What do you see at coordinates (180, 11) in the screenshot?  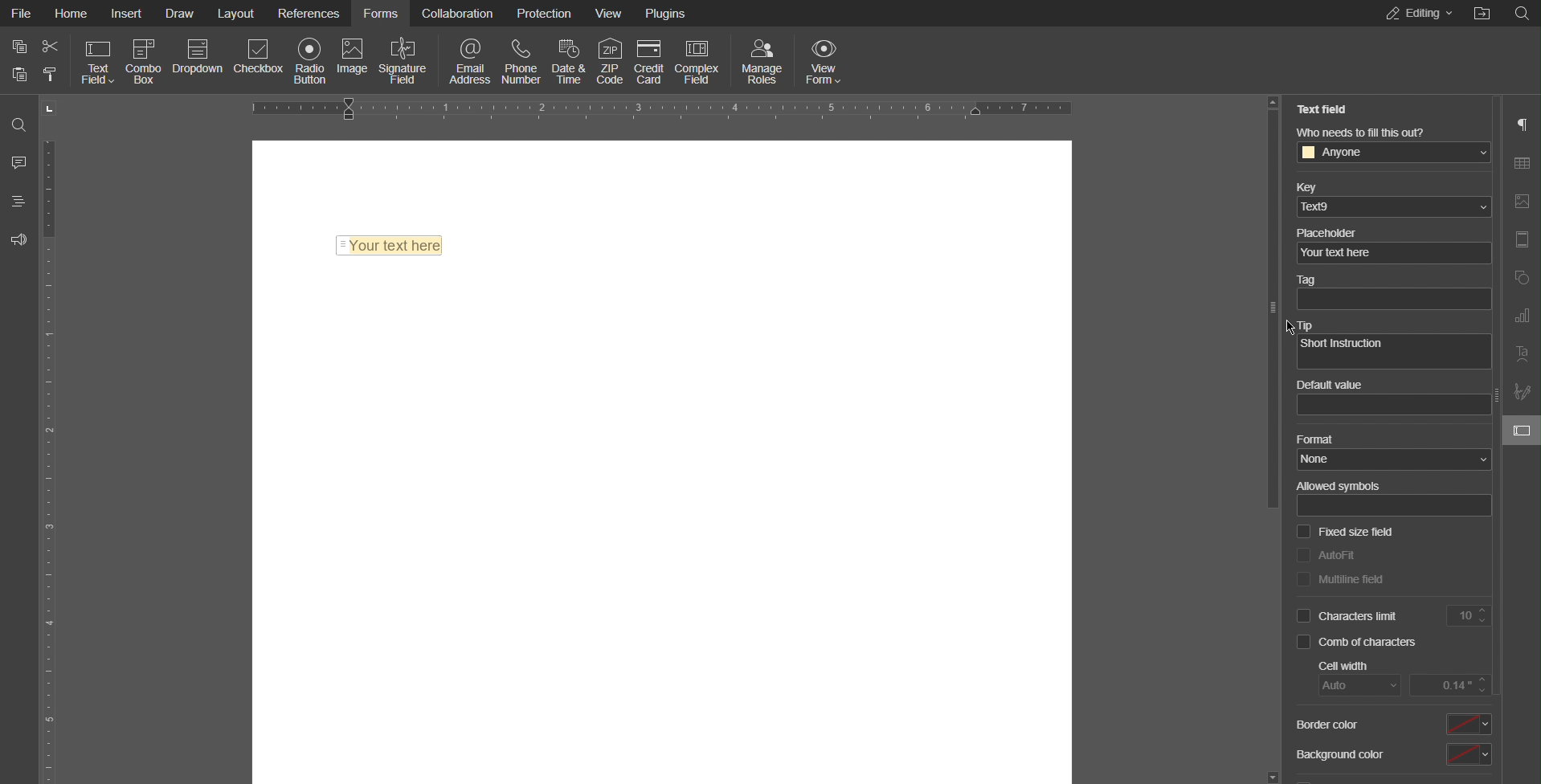 I see `Draw` at bounding box center [180, 11].